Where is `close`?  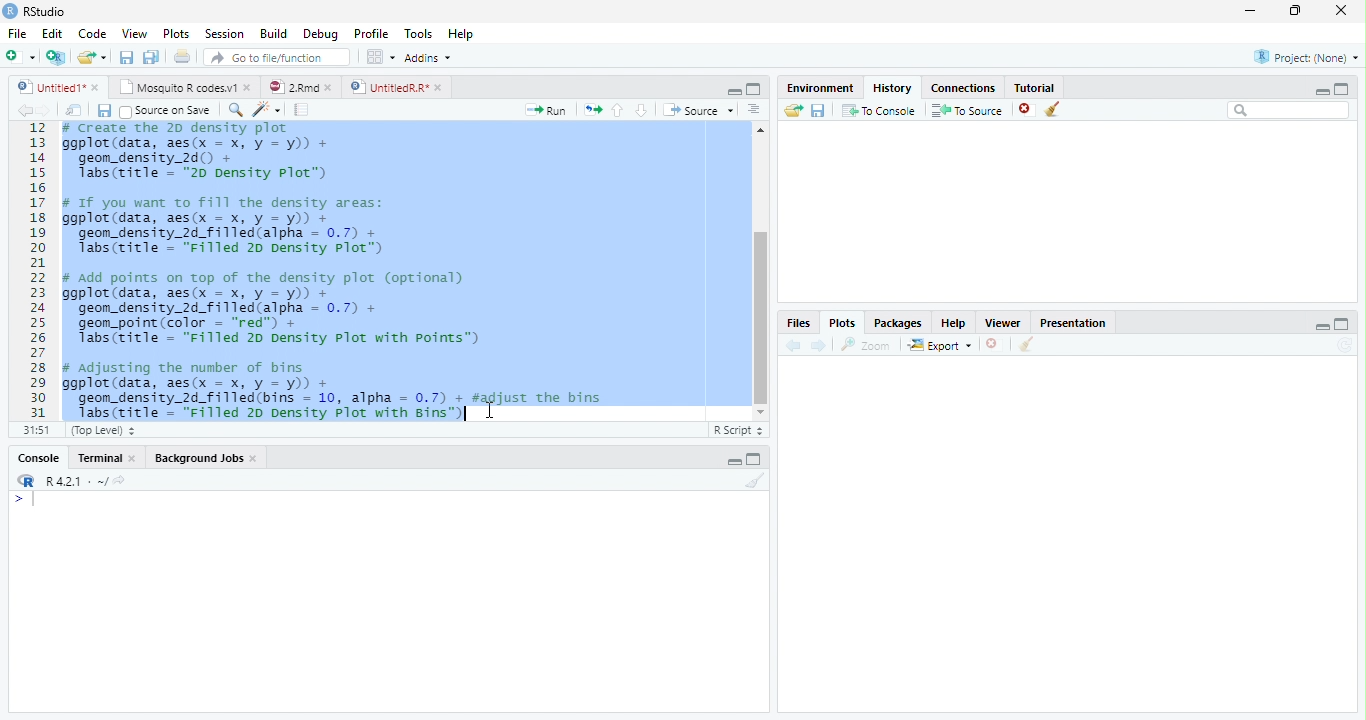
close is located at coordinates (250, 88).